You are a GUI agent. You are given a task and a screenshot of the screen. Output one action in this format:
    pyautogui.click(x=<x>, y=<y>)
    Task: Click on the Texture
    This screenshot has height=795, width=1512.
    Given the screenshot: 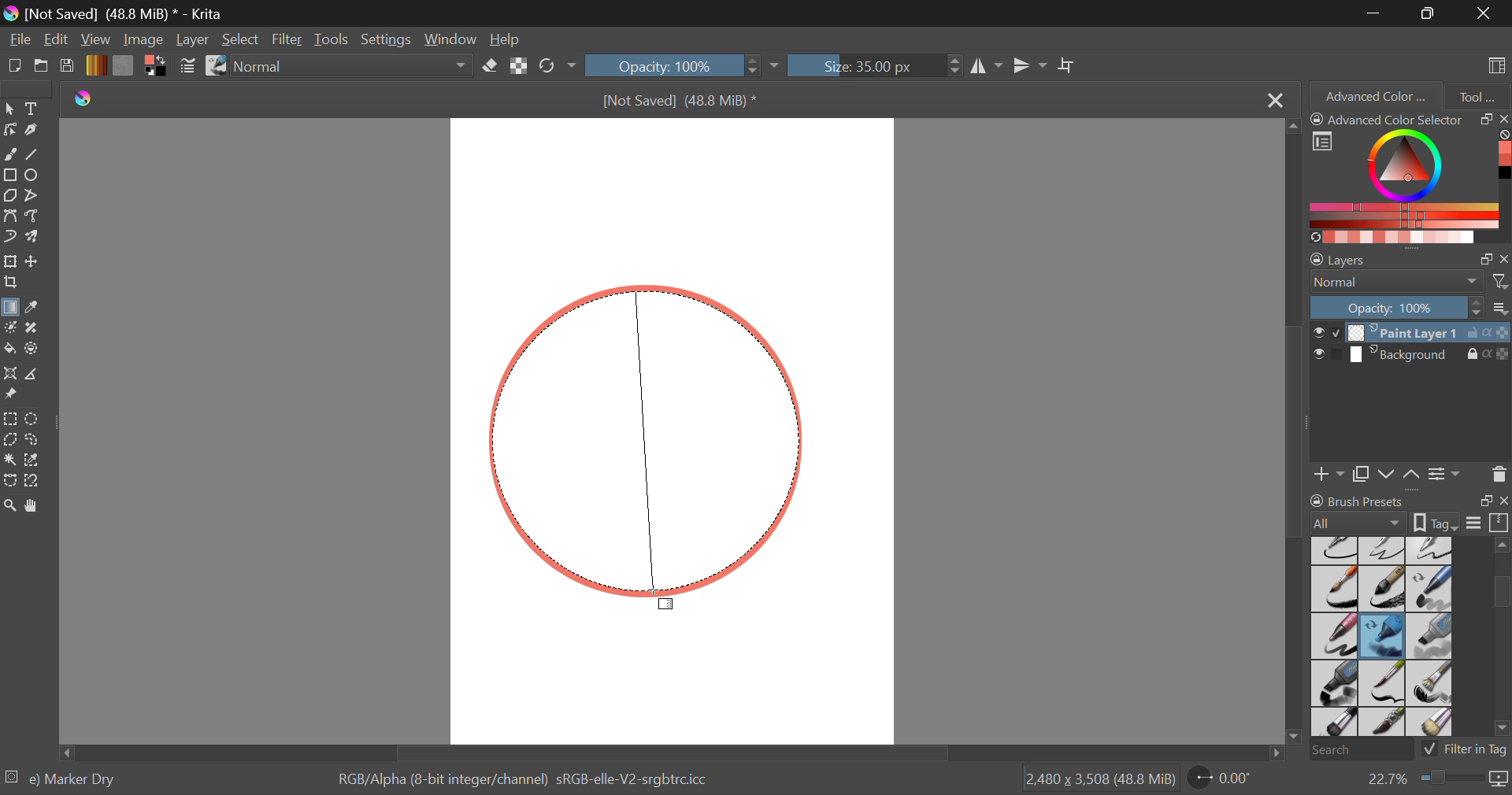 What is the action you would take?
    pyautogui.click(x=123, y=65)
    